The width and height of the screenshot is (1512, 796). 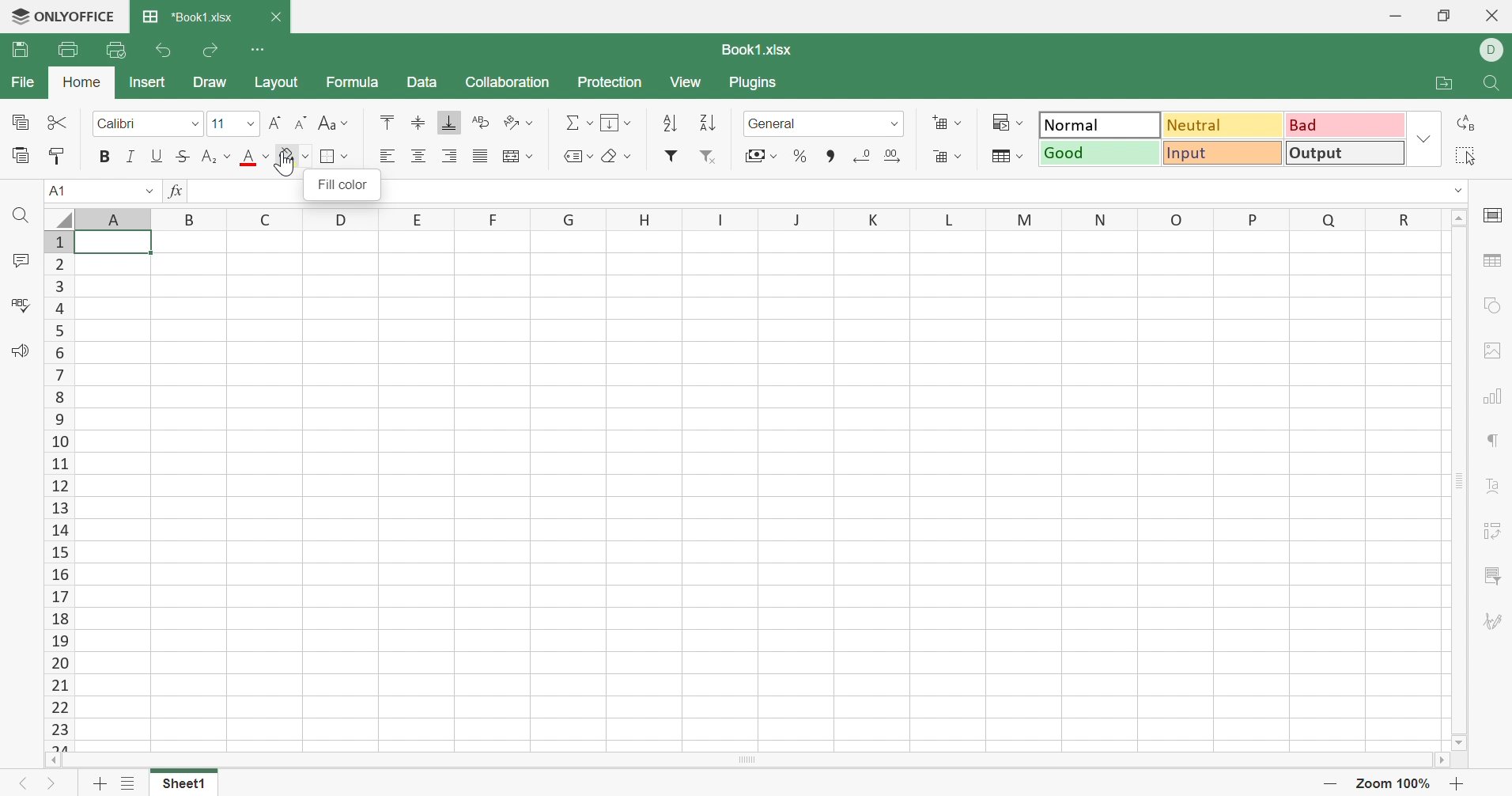 What do you see at coordinates (22, 349) in the screenshot?
I see `Feedback & Support` at bounding box center [22, 349].